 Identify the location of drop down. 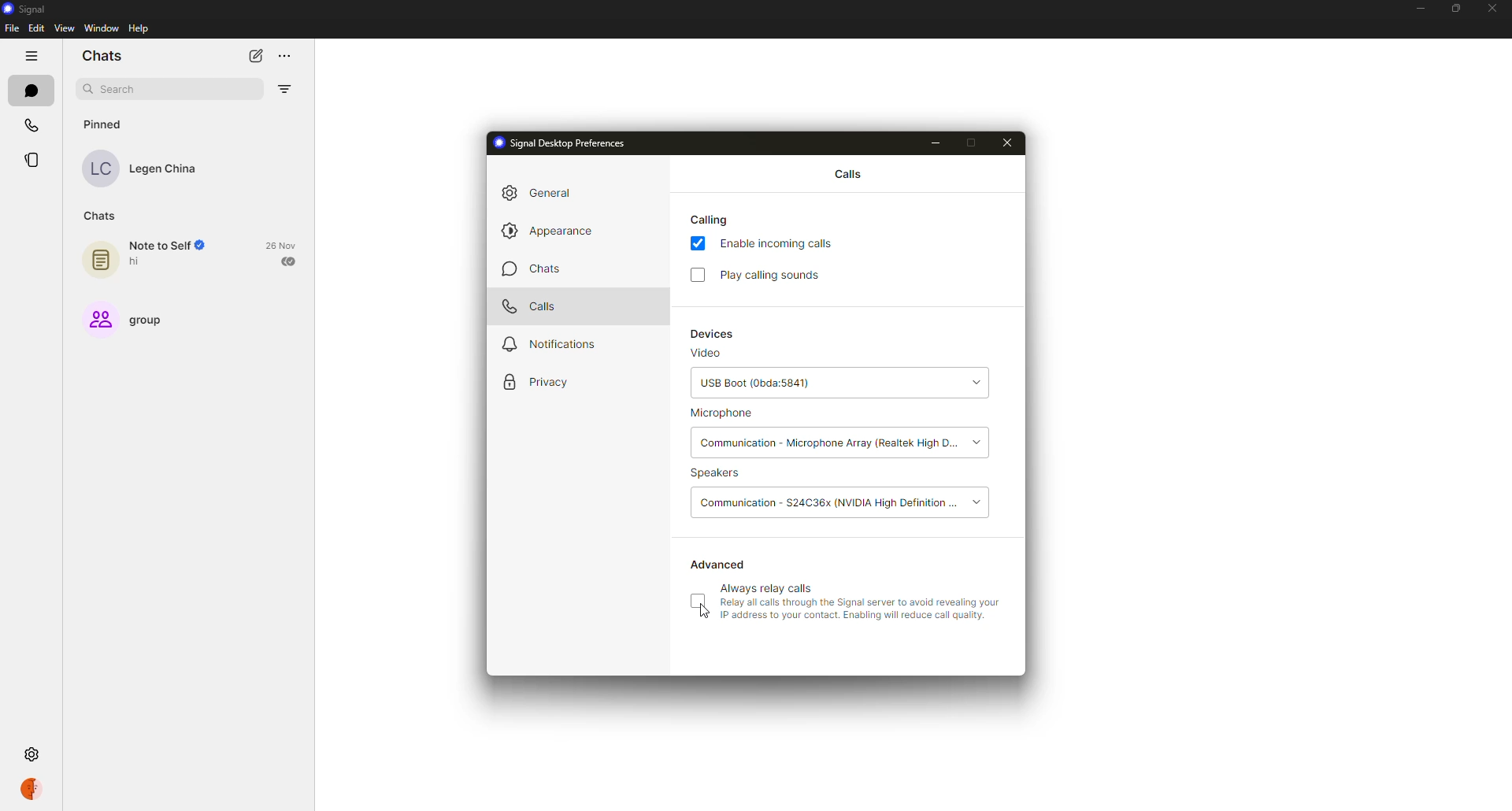
(983, 442).